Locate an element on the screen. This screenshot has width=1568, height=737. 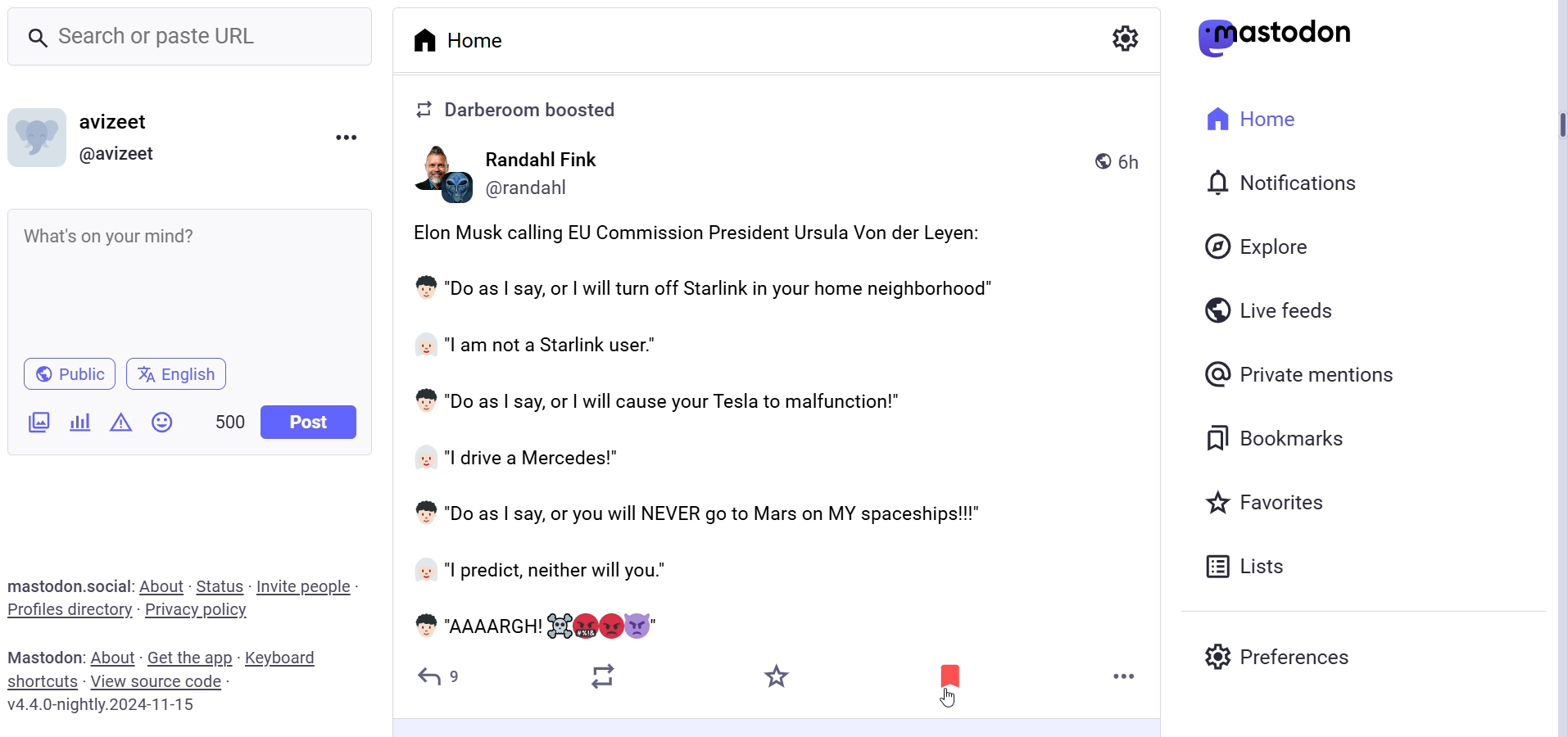
Add Images is located at coordinates (37, 423).